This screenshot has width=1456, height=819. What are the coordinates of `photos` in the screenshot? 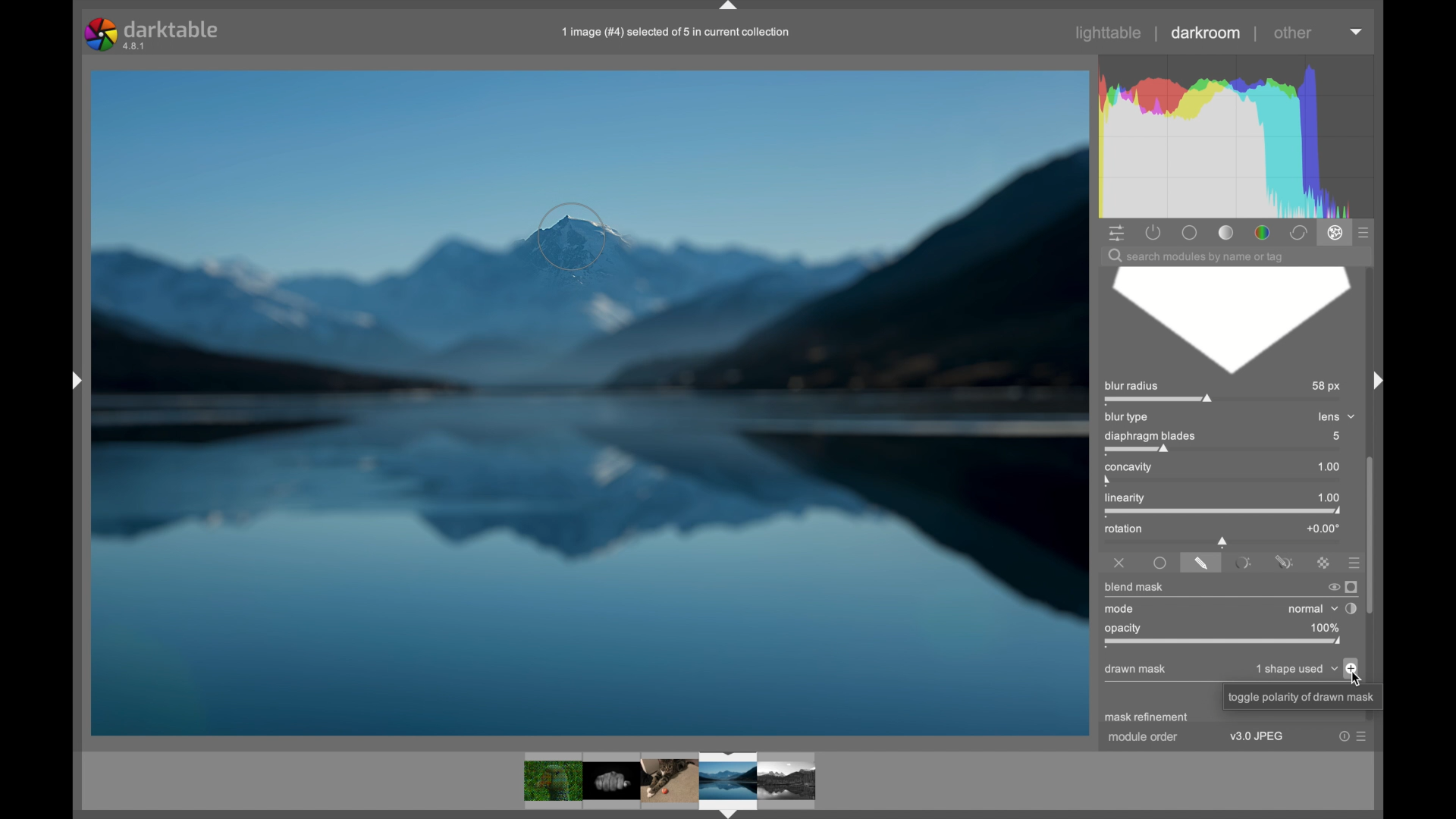 It's located at (669, 781).